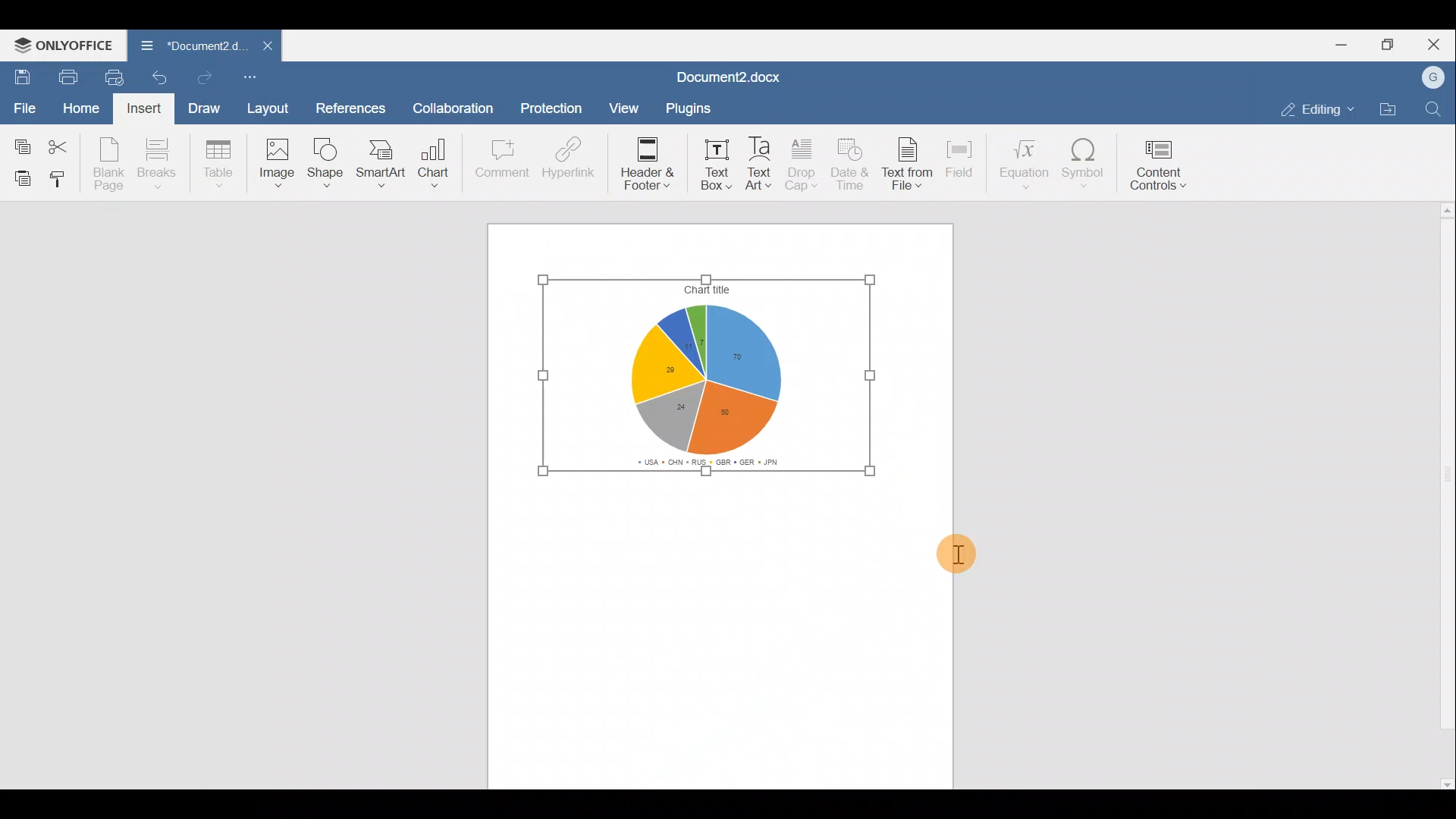 The height and width of the screenshot is (819, 1456). I want to click on Undo, so click(164, 82).